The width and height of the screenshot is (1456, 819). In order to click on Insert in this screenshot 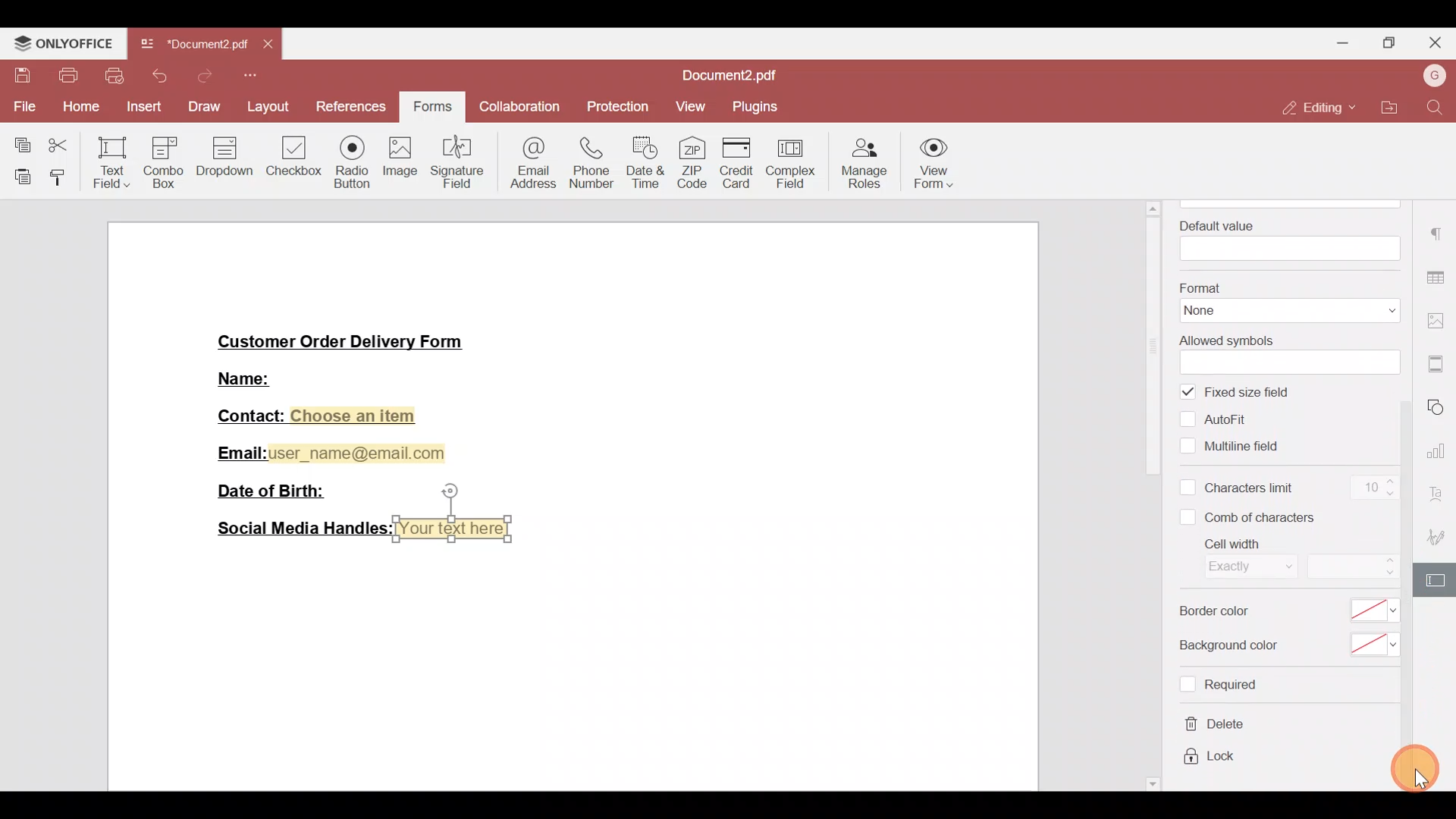, I will do `click(142, 108)`.